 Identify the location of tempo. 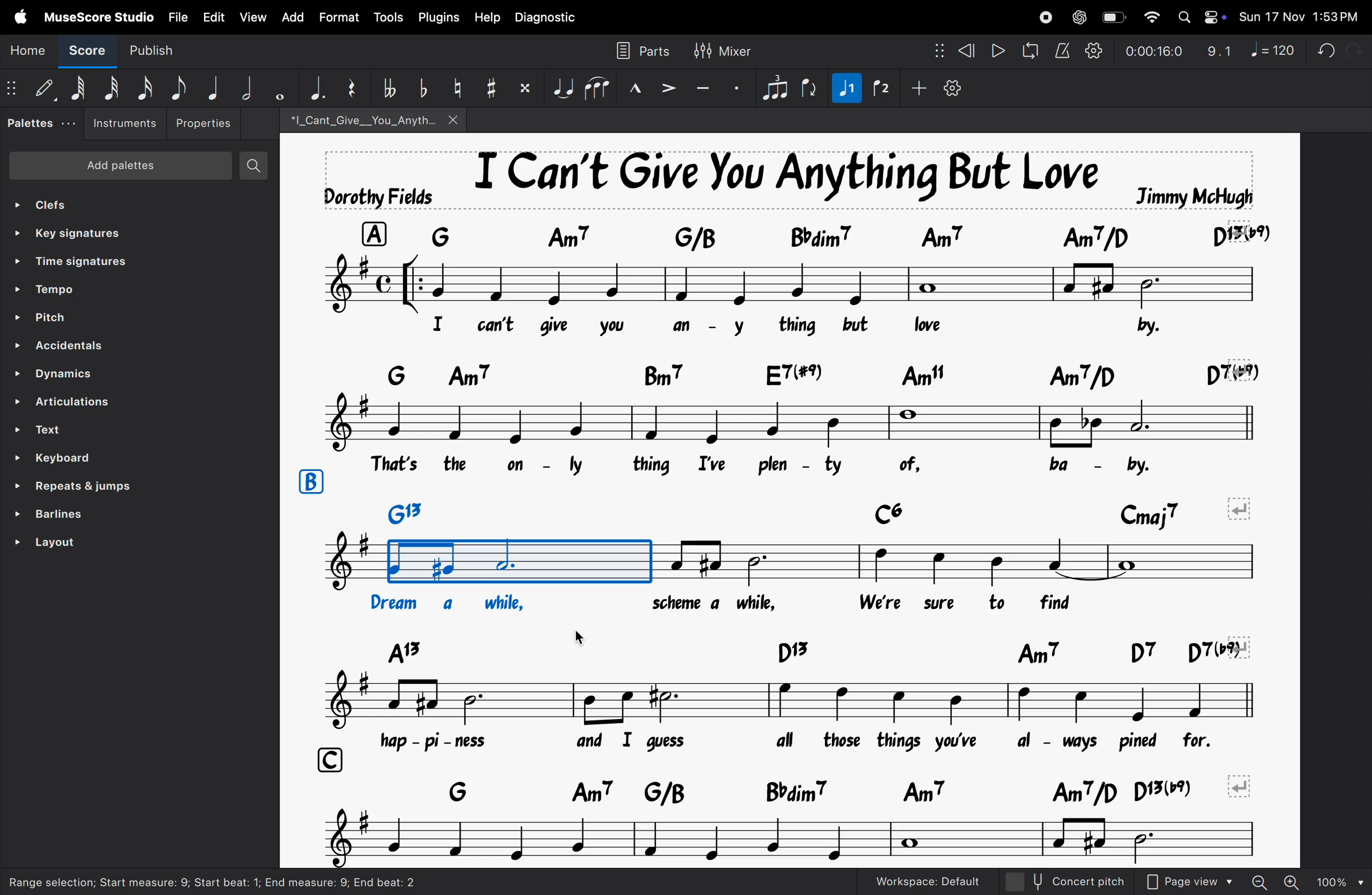
(51, 291).